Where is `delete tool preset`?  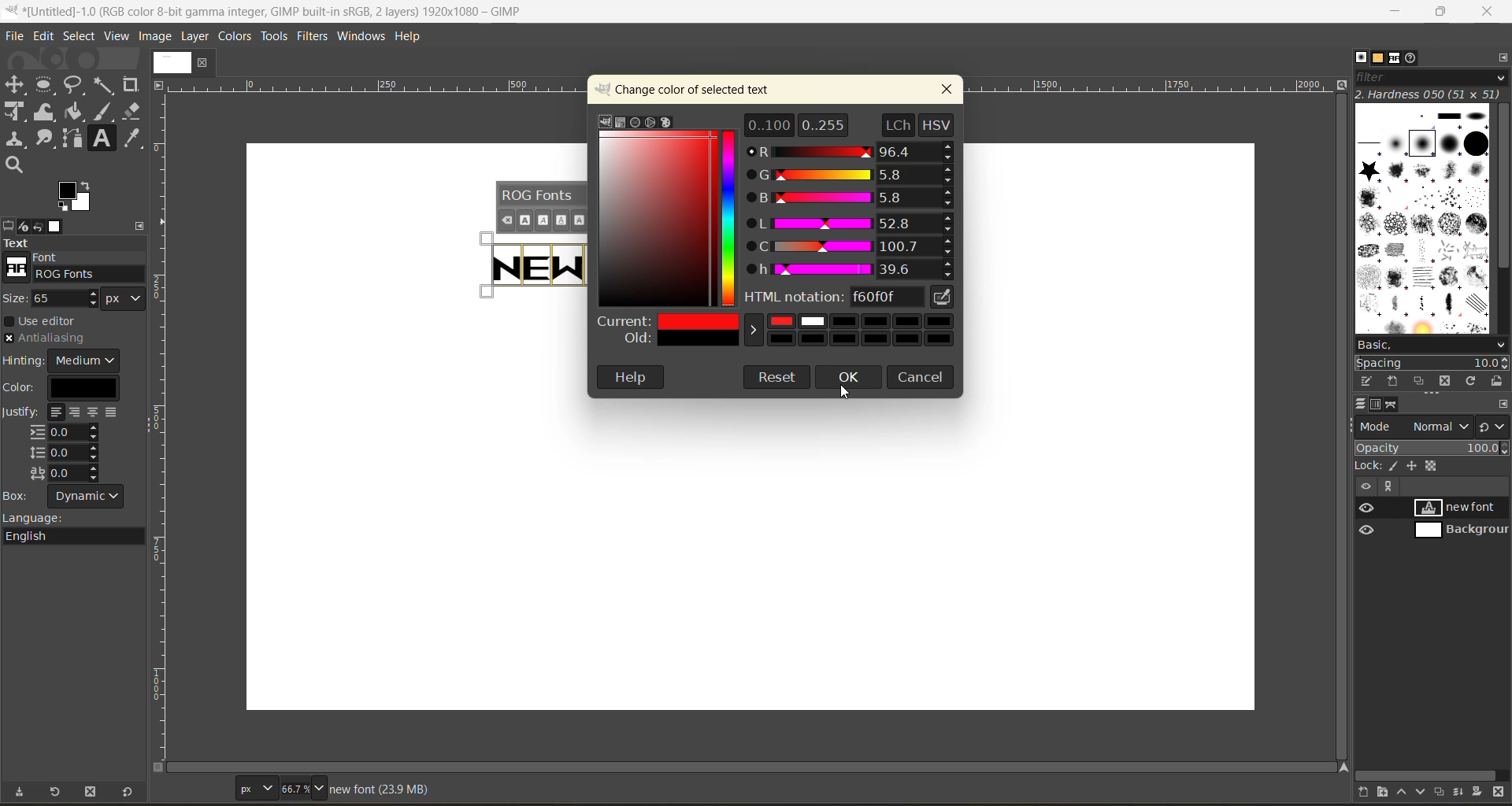 delete tool preset is located at coordinates (92, 790).